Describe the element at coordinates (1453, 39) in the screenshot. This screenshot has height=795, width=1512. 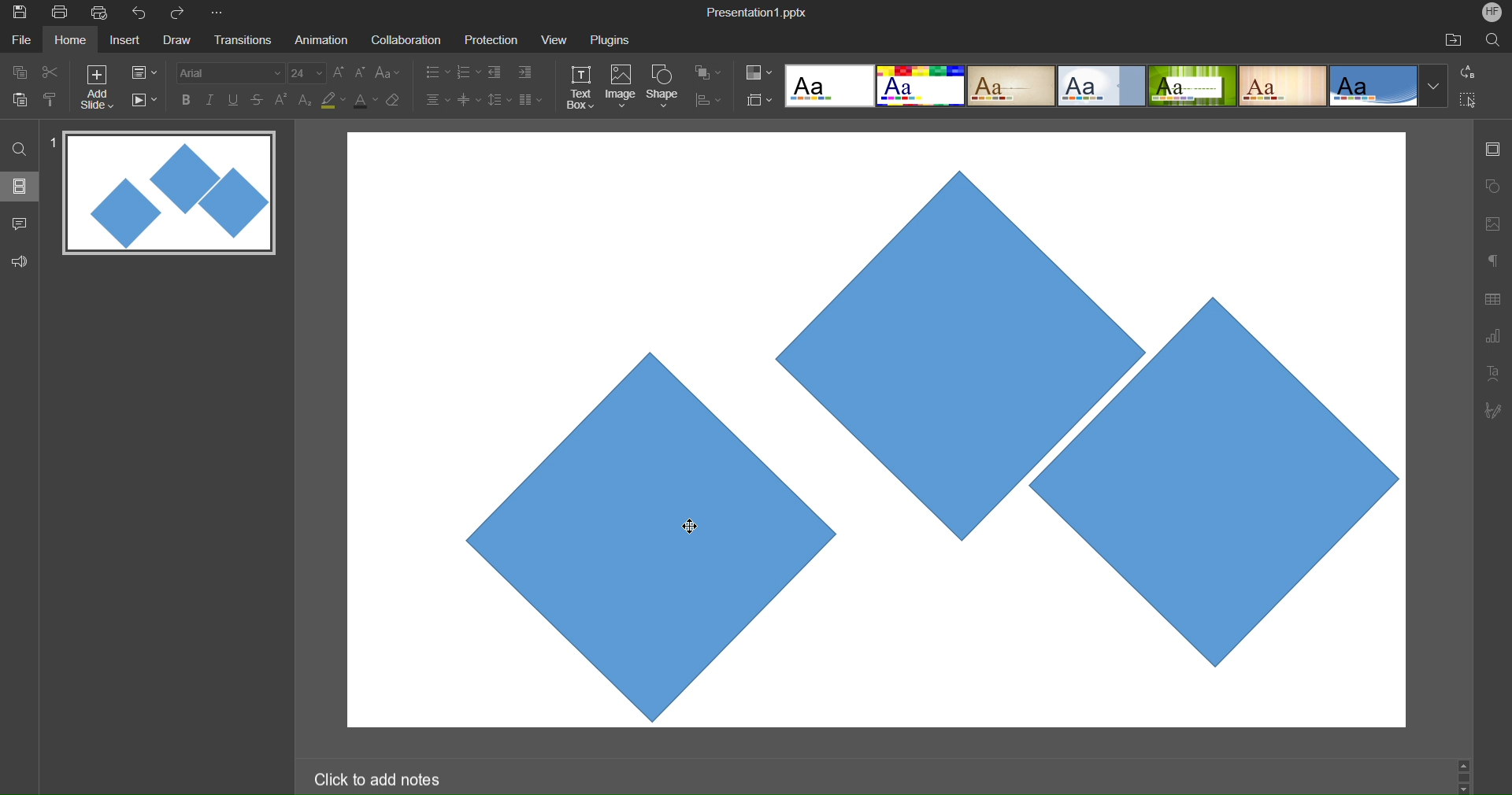
I see `open file location` at that location.